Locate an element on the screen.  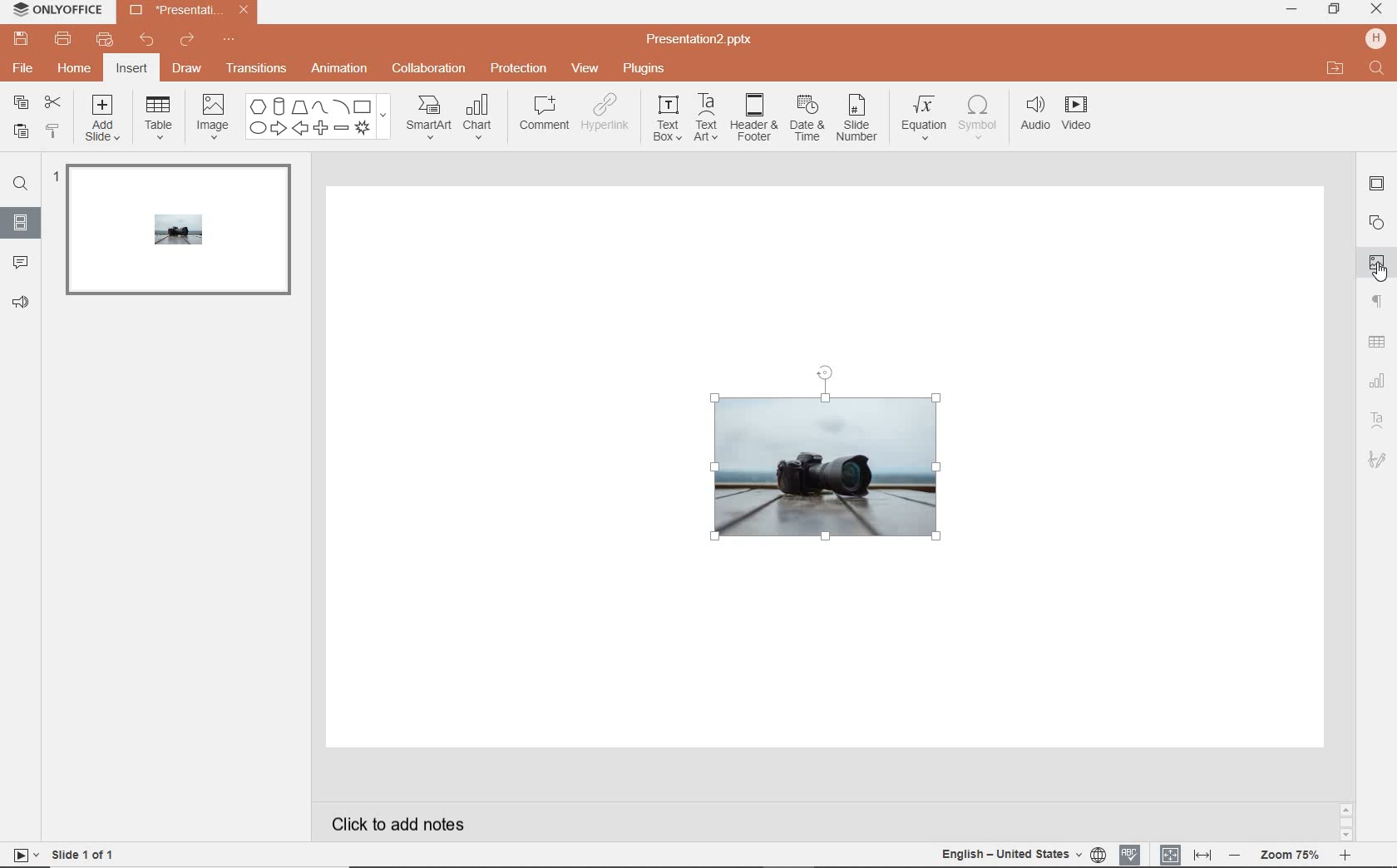
view is located at coordinates (586, 67).